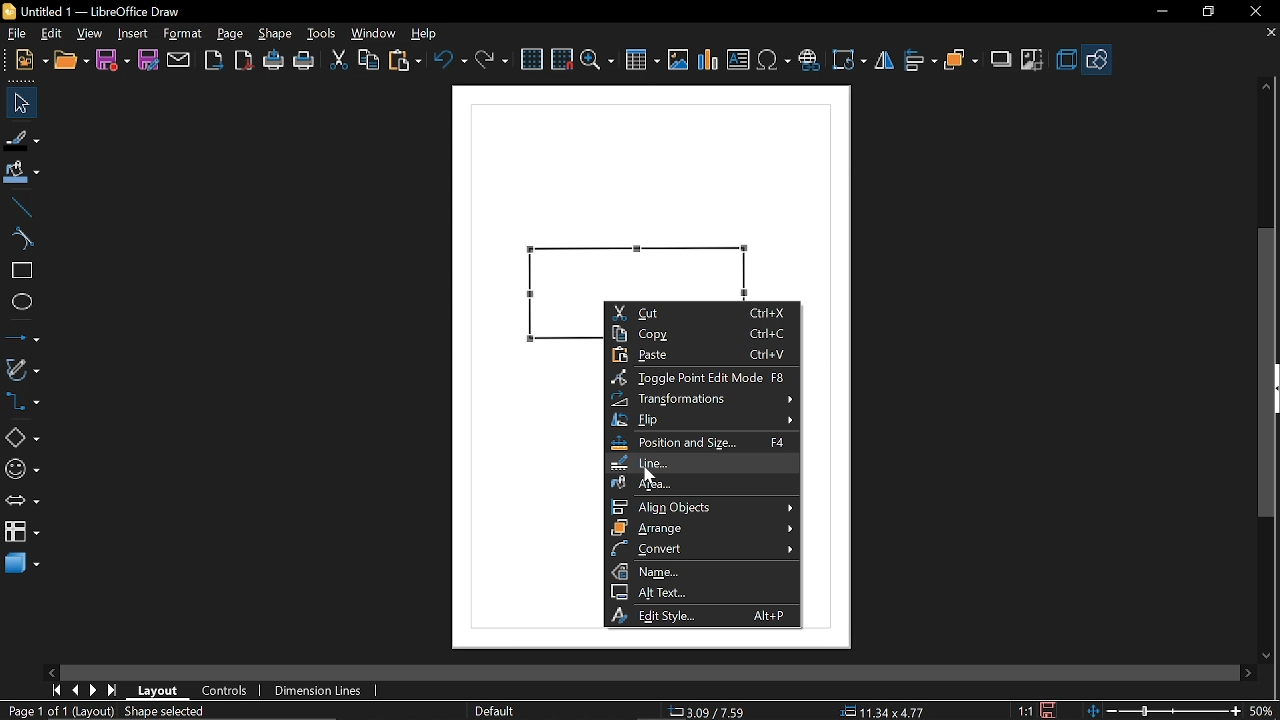 The height and width of the screenshot is (720, 1280). What do you see at coordinates (697, 355) in the screenshot?
I see `Paste` at bounding box center [697, 355].